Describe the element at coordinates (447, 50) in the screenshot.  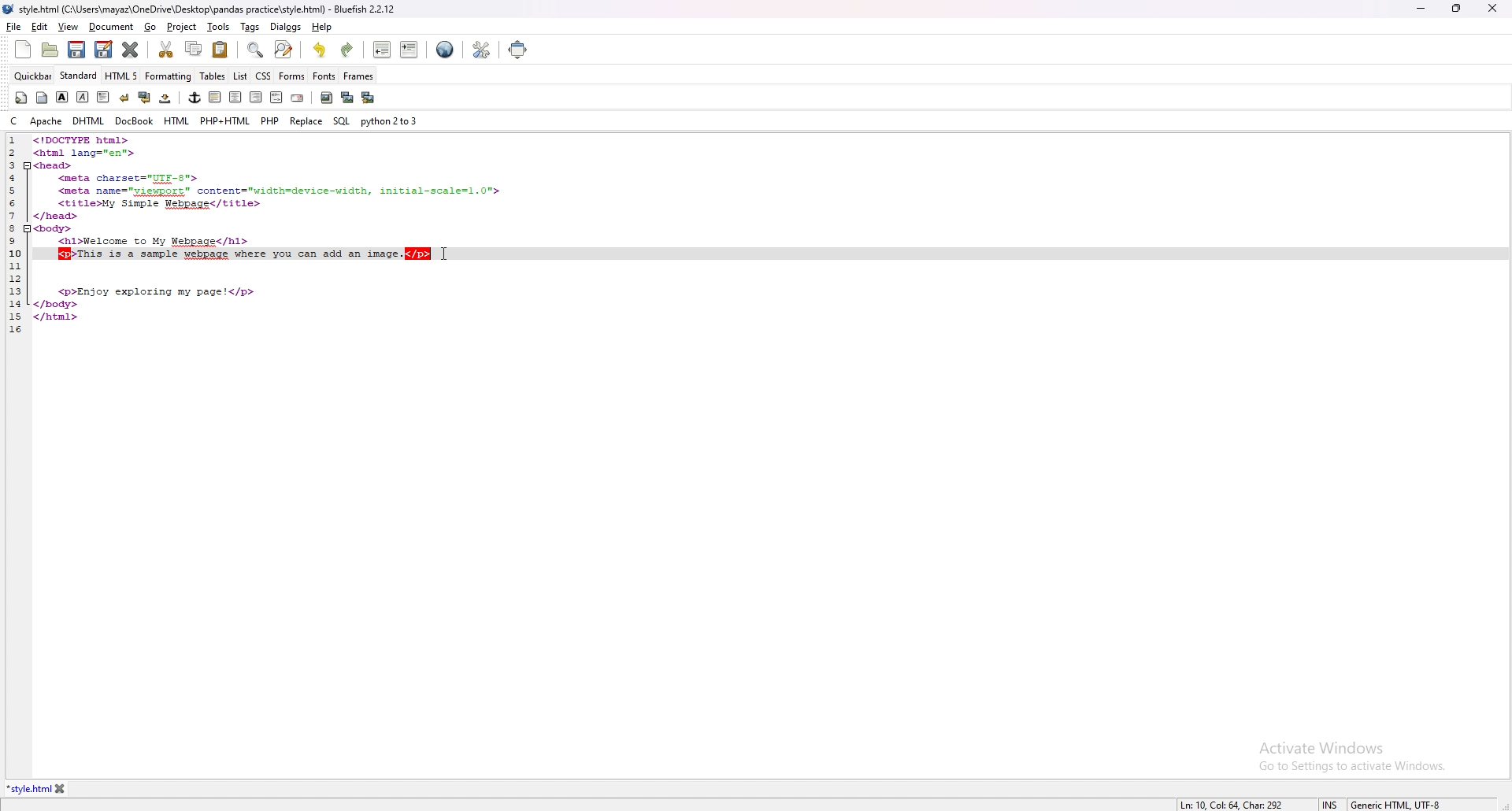
I see `web preview` at that location.